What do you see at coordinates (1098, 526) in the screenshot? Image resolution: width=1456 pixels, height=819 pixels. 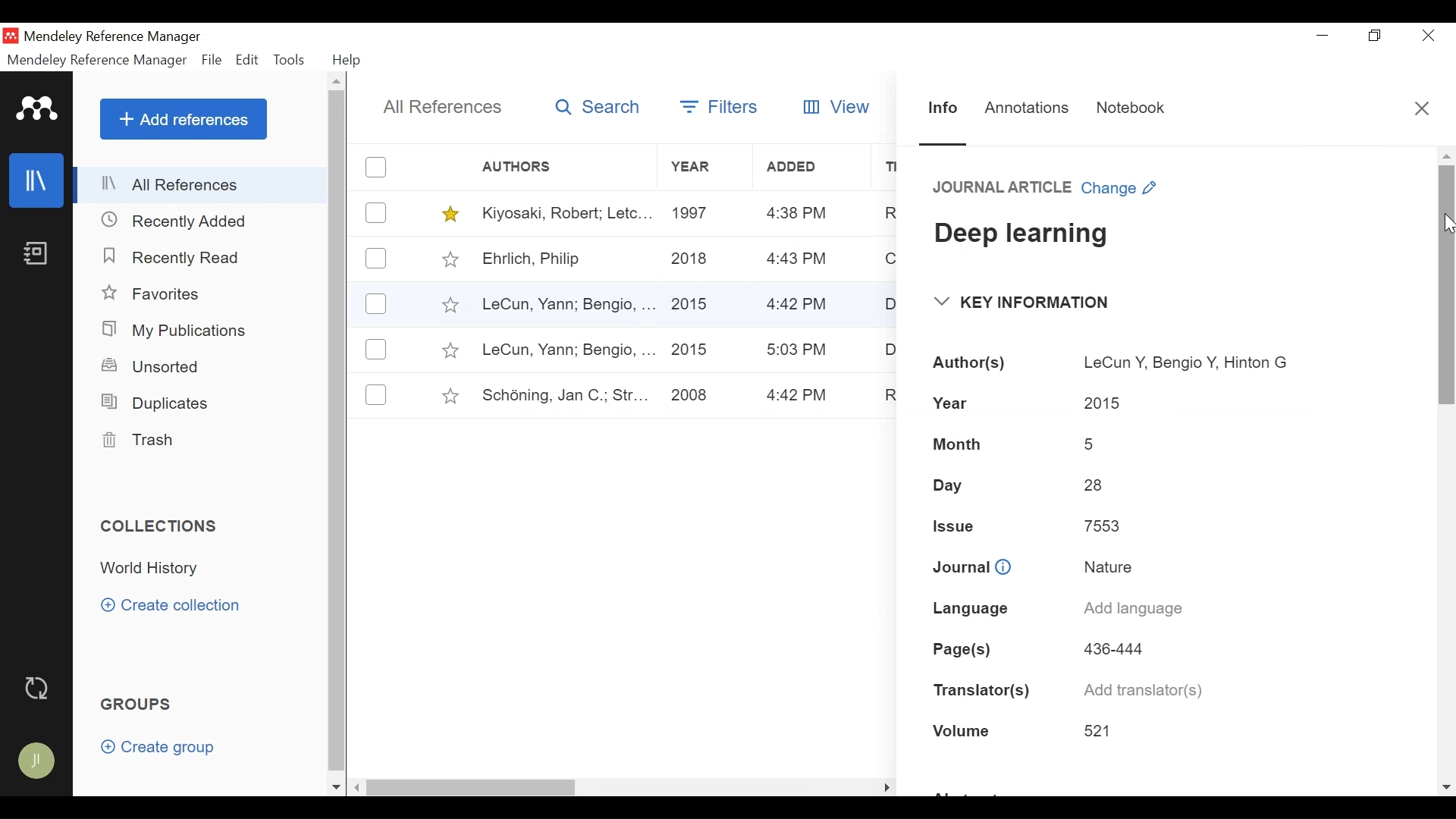 I see `7553` at bounding box center [1098, 526].